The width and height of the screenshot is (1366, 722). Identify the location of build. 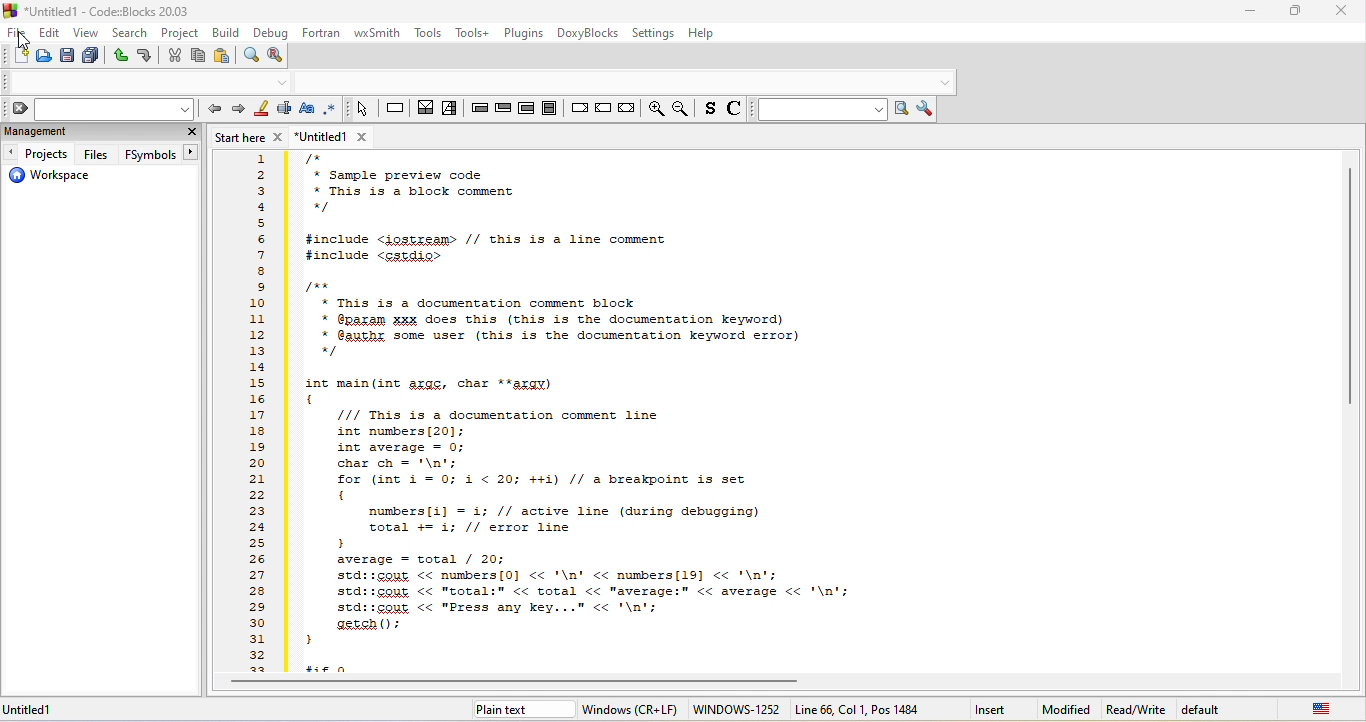
(228, 33).